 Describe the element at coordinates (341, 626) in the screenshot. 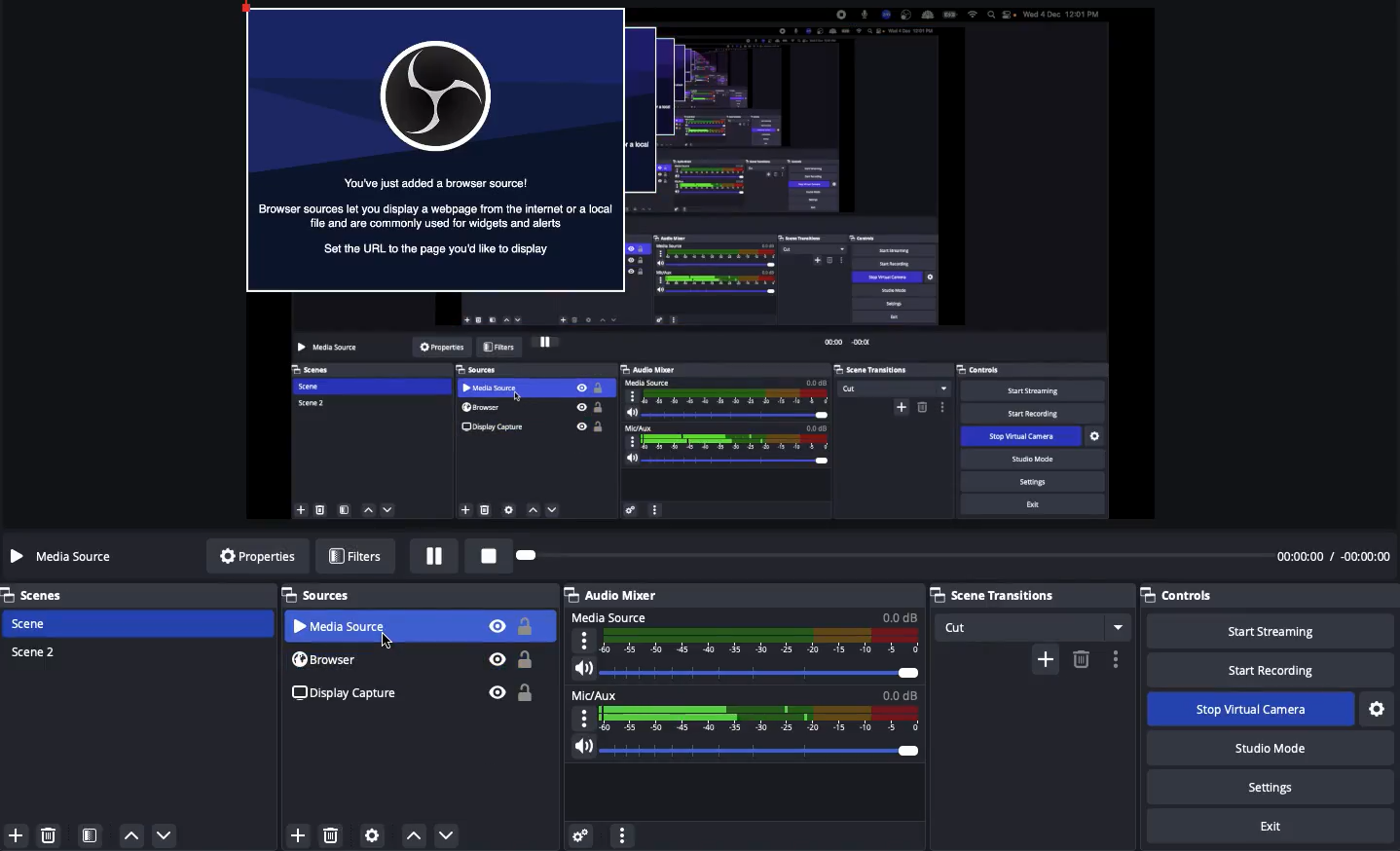

I see `Media source` at that location.